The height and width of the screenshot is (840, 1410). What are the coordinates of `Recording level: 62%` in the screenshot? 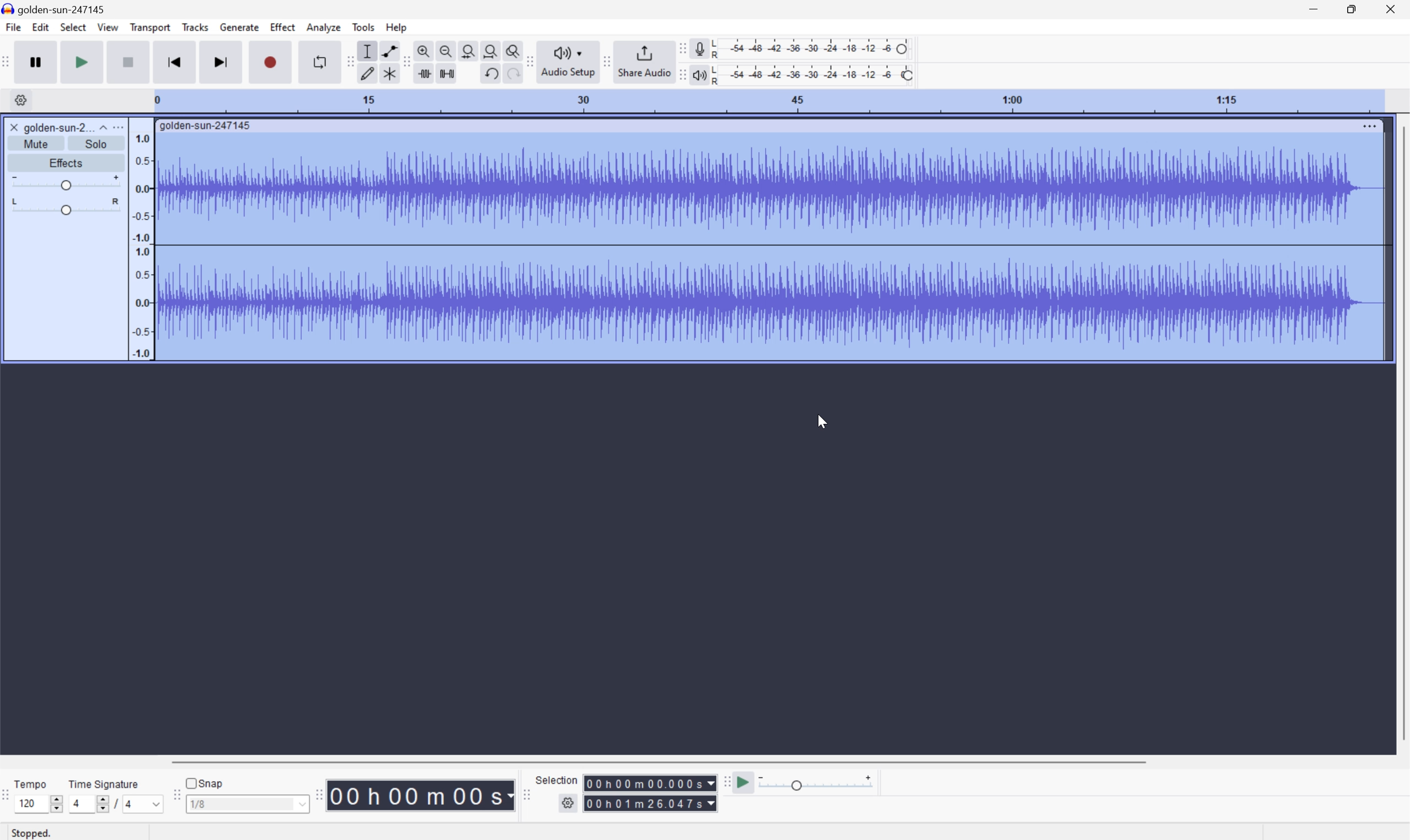 It's located at (813, 48).